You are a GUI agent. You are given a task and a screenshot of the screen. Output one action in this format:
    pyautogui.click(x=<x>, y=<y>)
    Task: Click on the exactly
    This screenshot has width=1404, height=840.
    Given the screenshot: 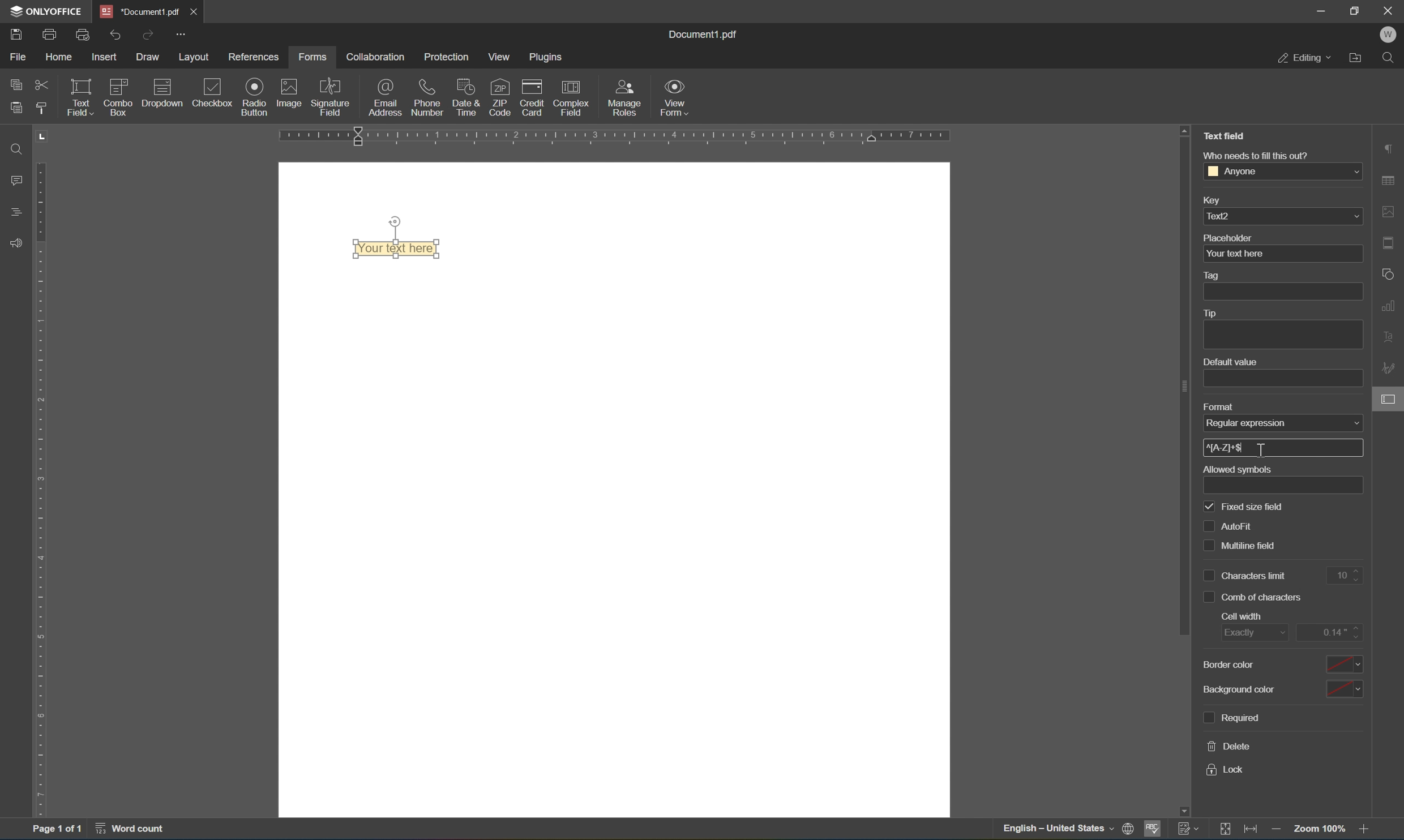 What is the action you would take?
    pyautogui.click(x=1243, y=635)
    